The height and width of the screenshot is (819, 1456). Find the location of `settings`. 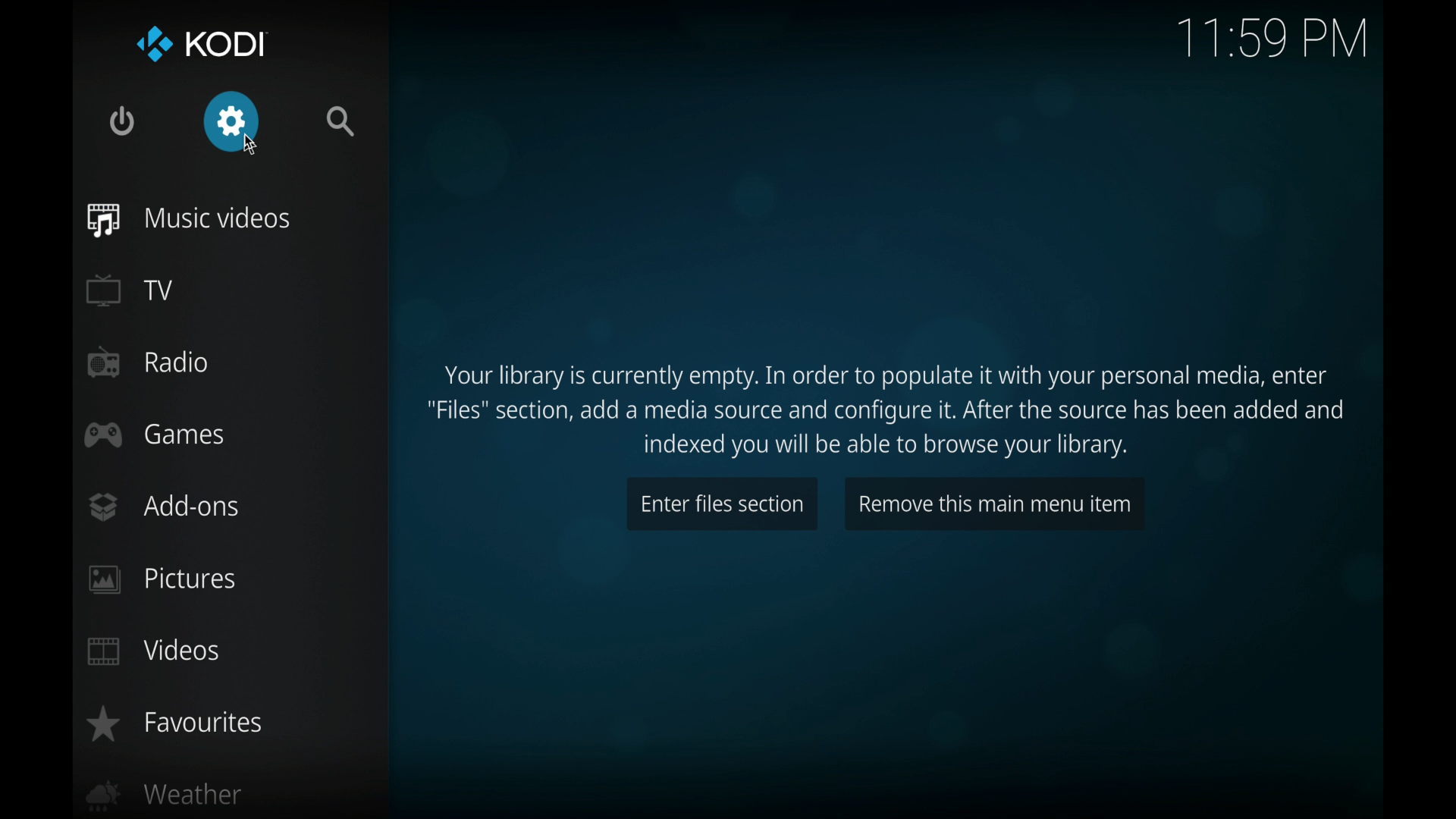

settings is located at coordinates (231, 122).